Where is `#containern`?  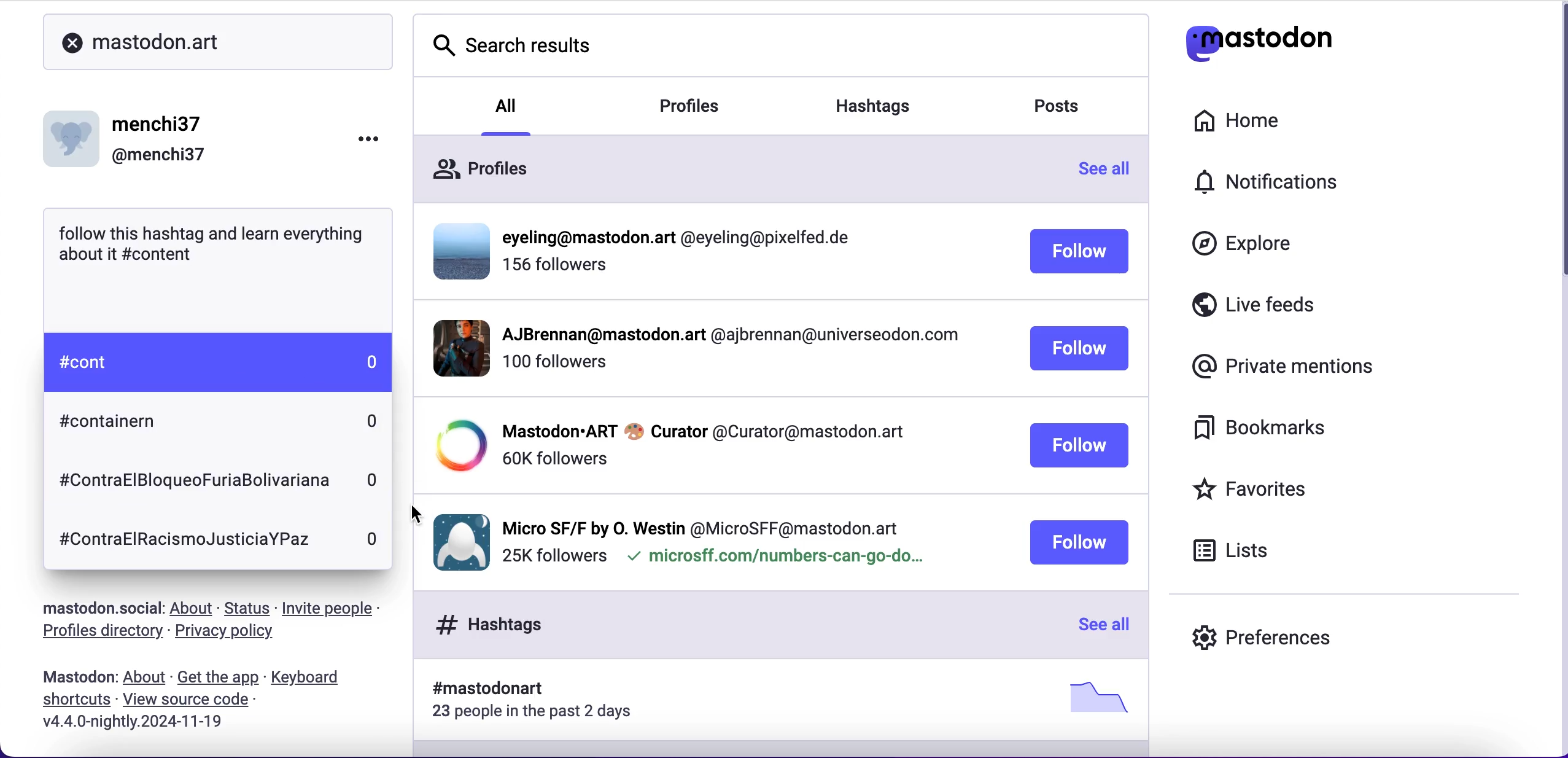
#containern is located at coordinates (122, 426).